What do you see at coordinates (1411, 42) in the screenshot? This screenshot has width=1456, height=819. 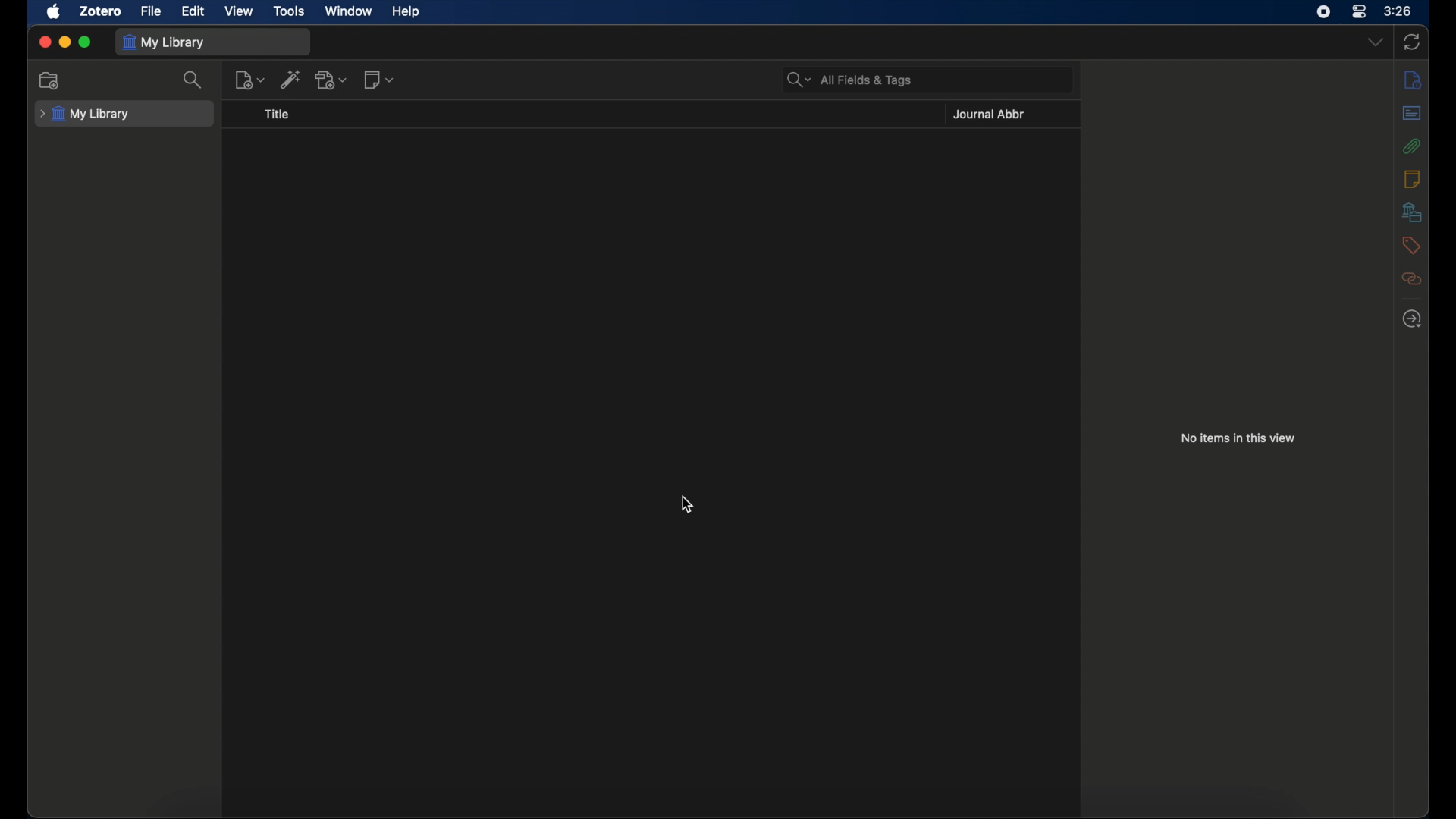 I see `sync` at bounding box center [1411, 42].